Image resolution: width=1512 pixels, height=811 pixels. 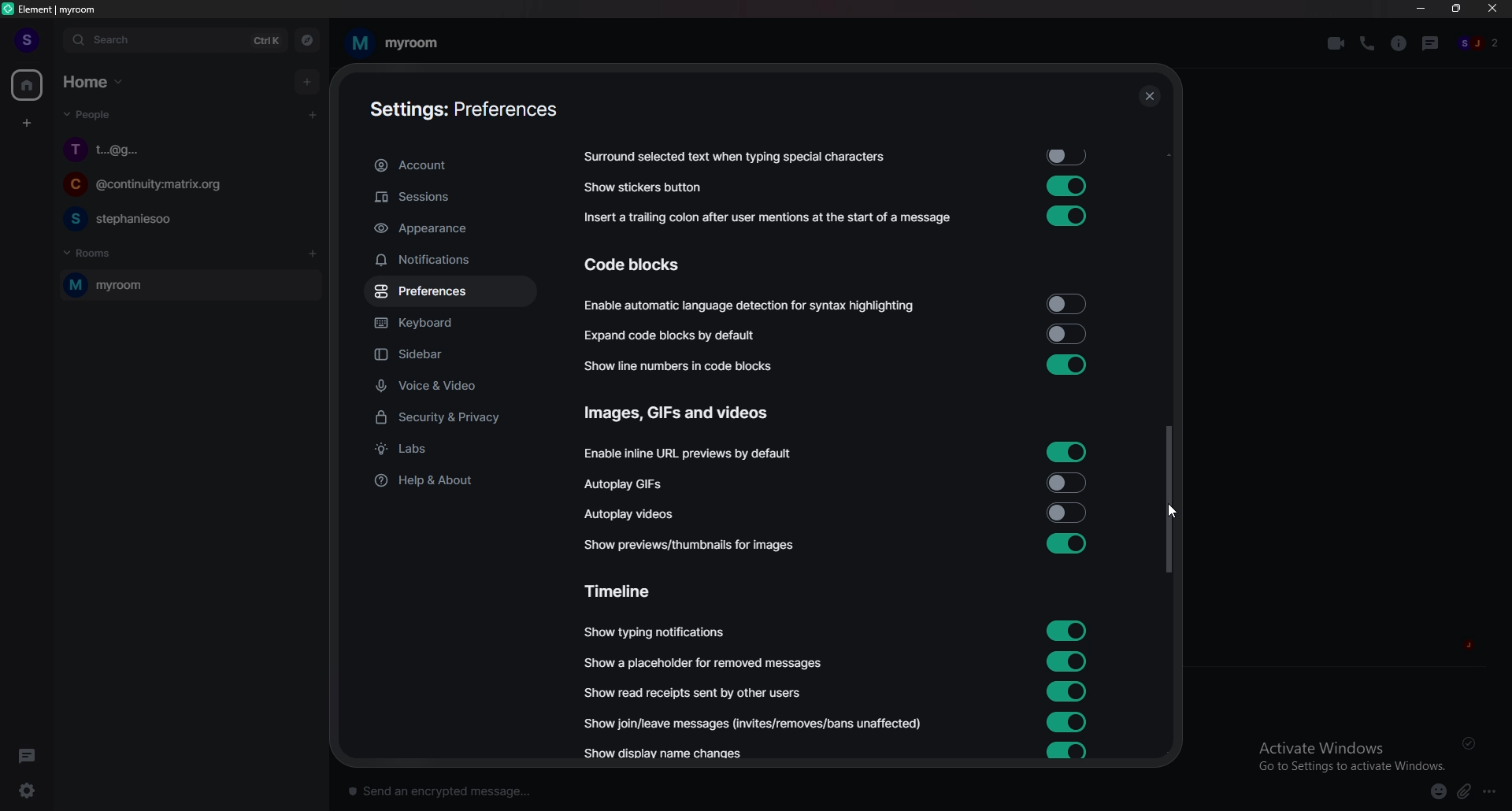 I want to click on show join/leave messages, so click(x=757, y=722).